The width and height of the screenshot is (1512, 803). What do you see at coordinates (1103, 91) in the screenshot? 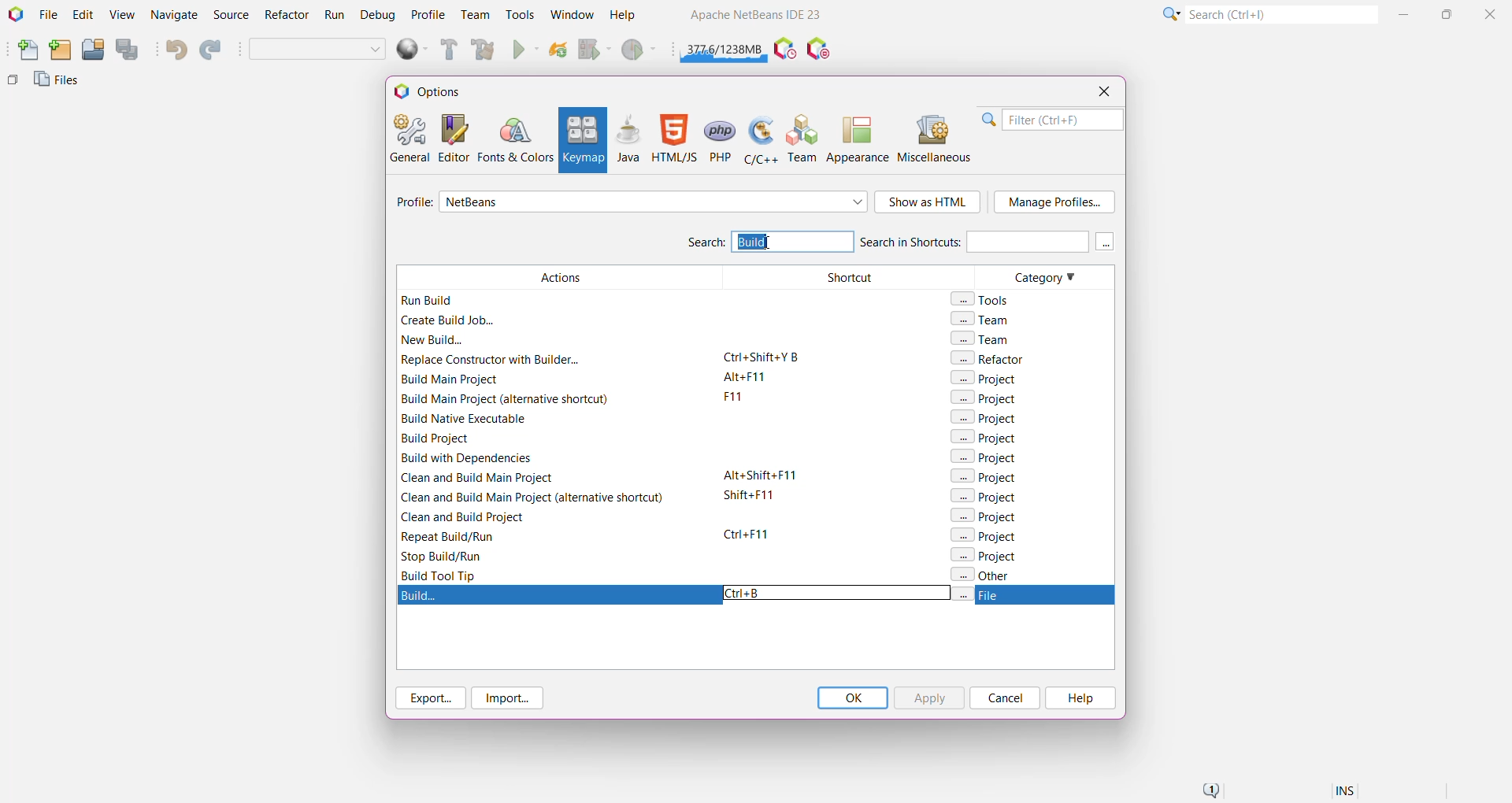
I see `Close` at bounding box center [1103, 91].